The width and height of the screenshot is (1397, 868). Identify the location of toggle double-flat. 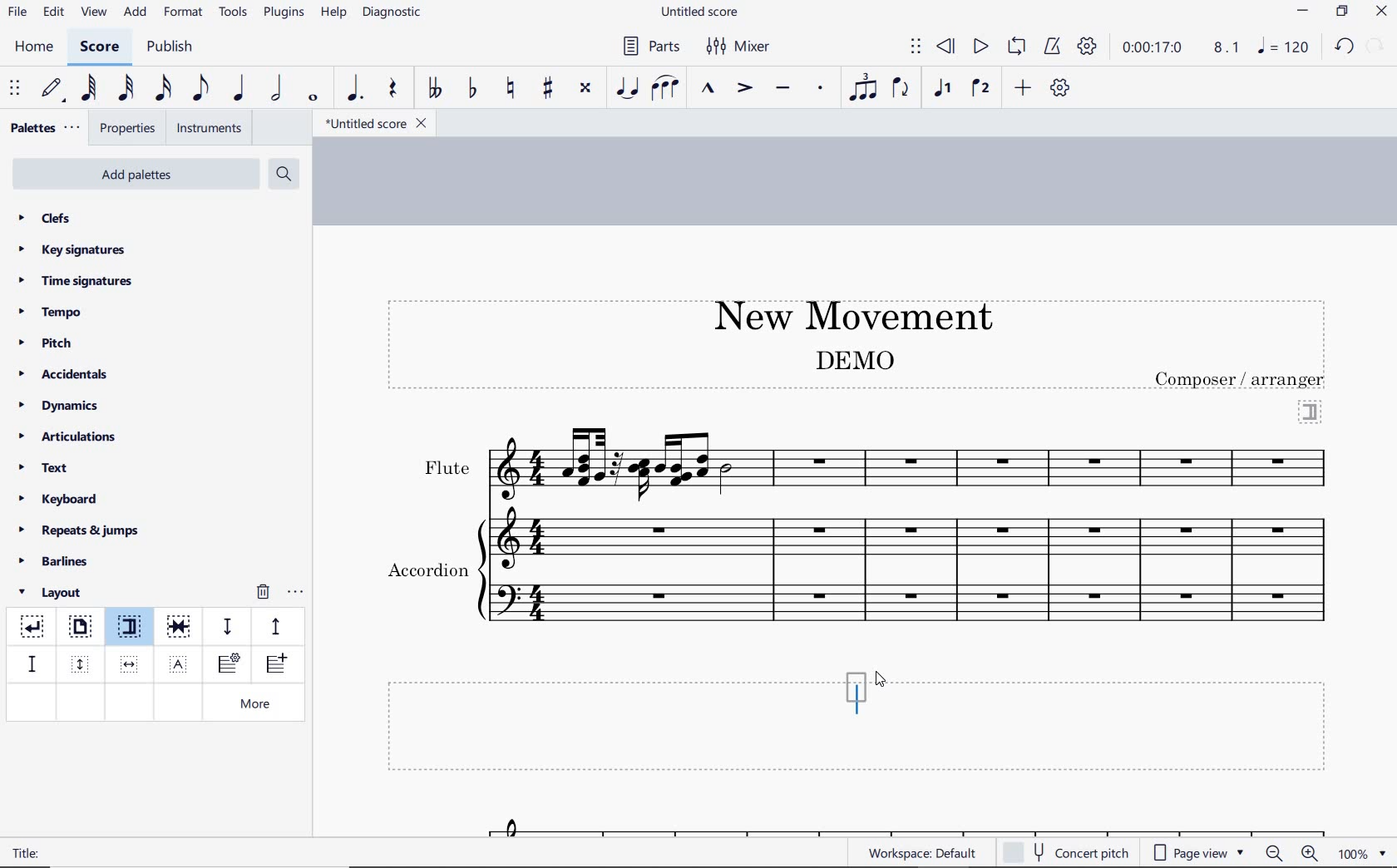
(434, 89).